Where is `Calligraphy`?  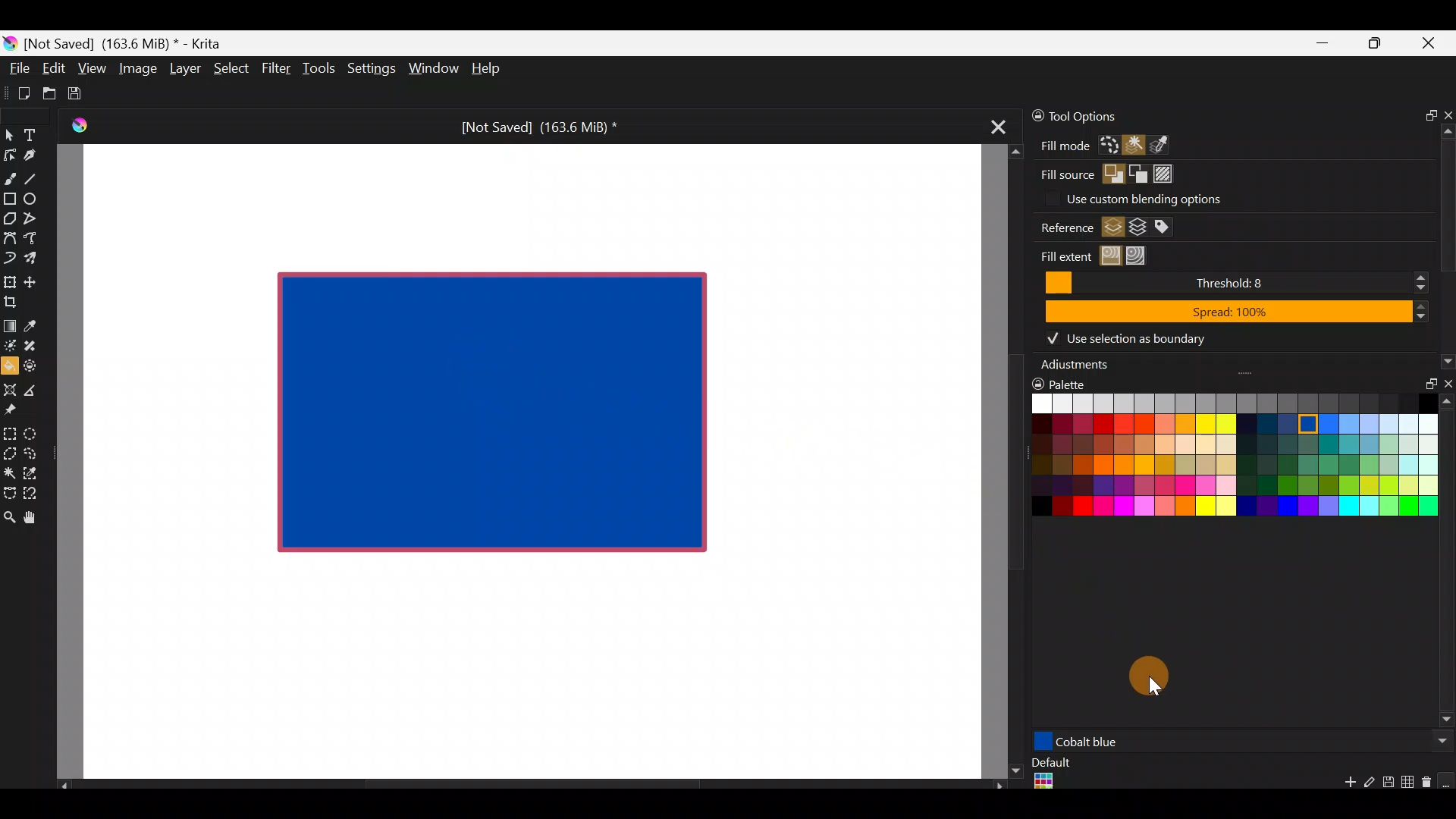 Calligraphy is located at coordinates (33, 155).